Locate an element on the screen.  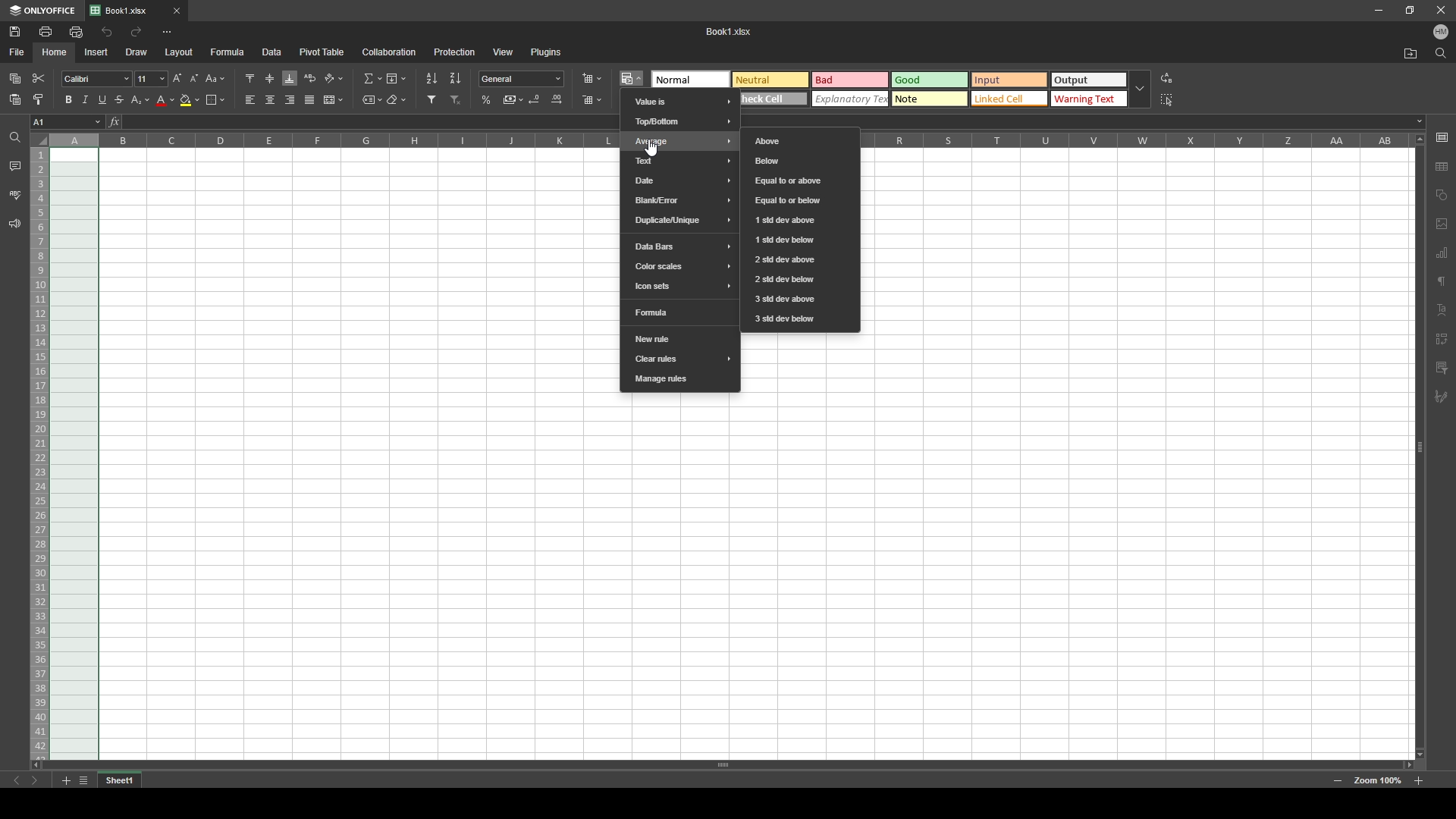
save is located at coordinates (16, 31).